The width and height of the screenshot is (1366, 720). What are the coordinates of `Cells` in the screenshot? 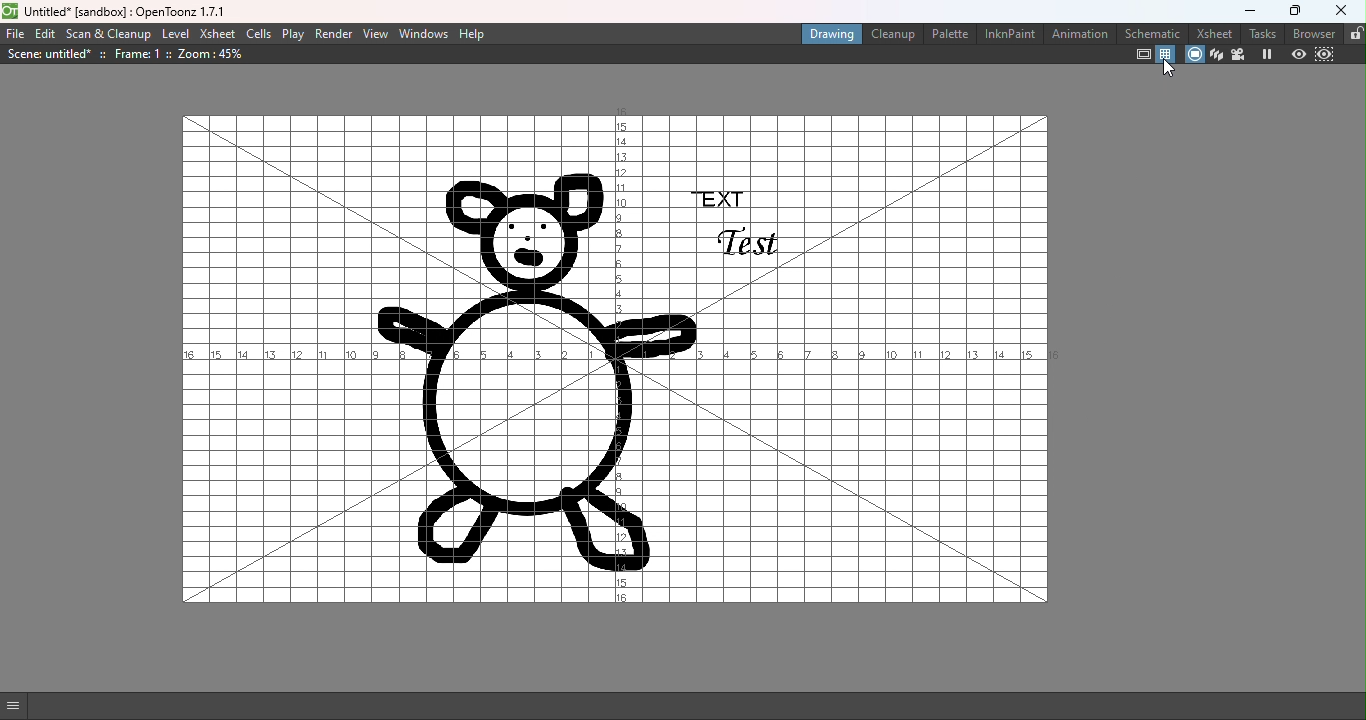 It's located at (260, 34).